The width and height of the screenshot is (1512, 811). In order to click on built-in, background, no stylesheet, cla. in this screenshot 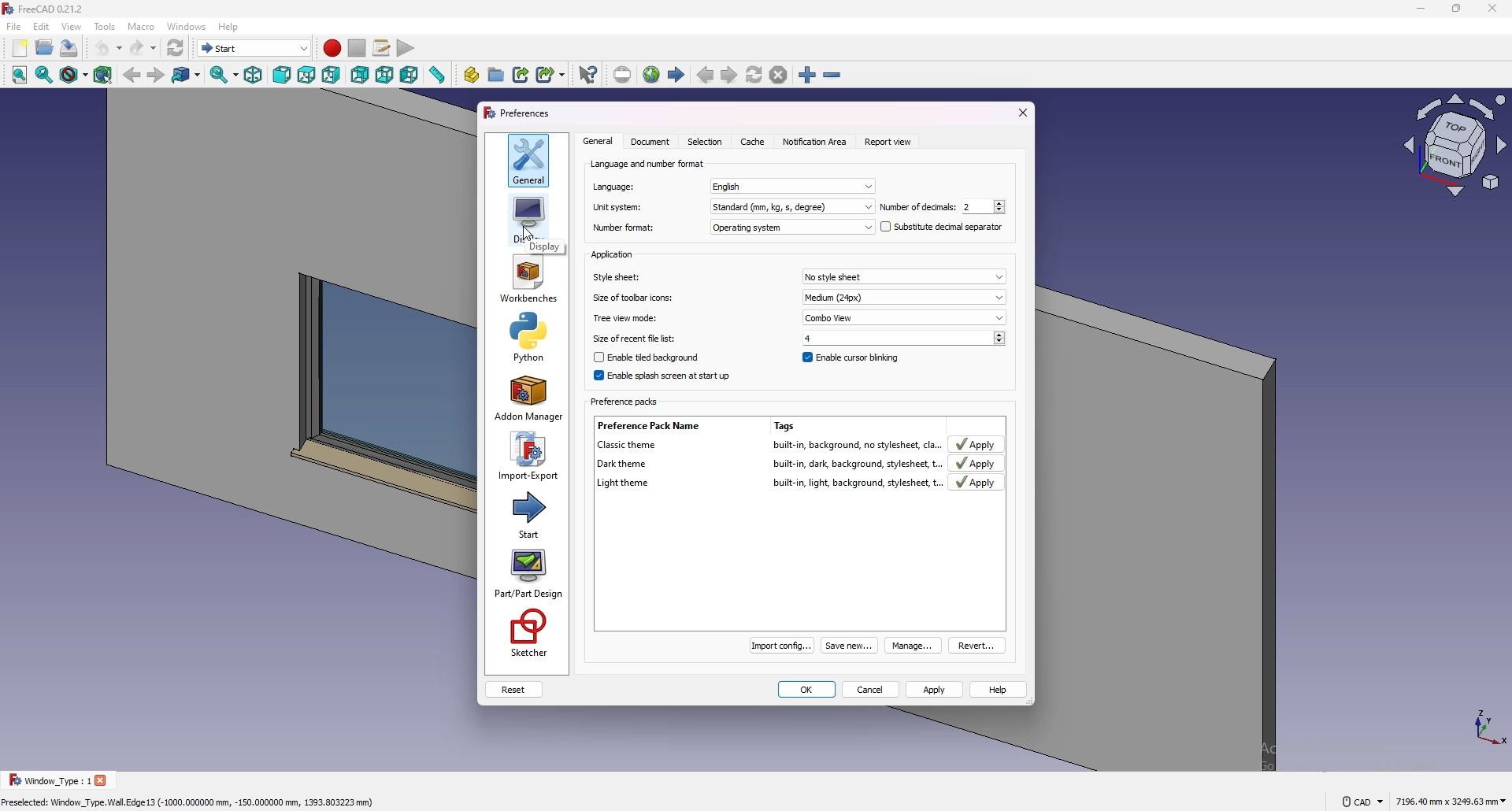, I will do `click(854, 444)`.